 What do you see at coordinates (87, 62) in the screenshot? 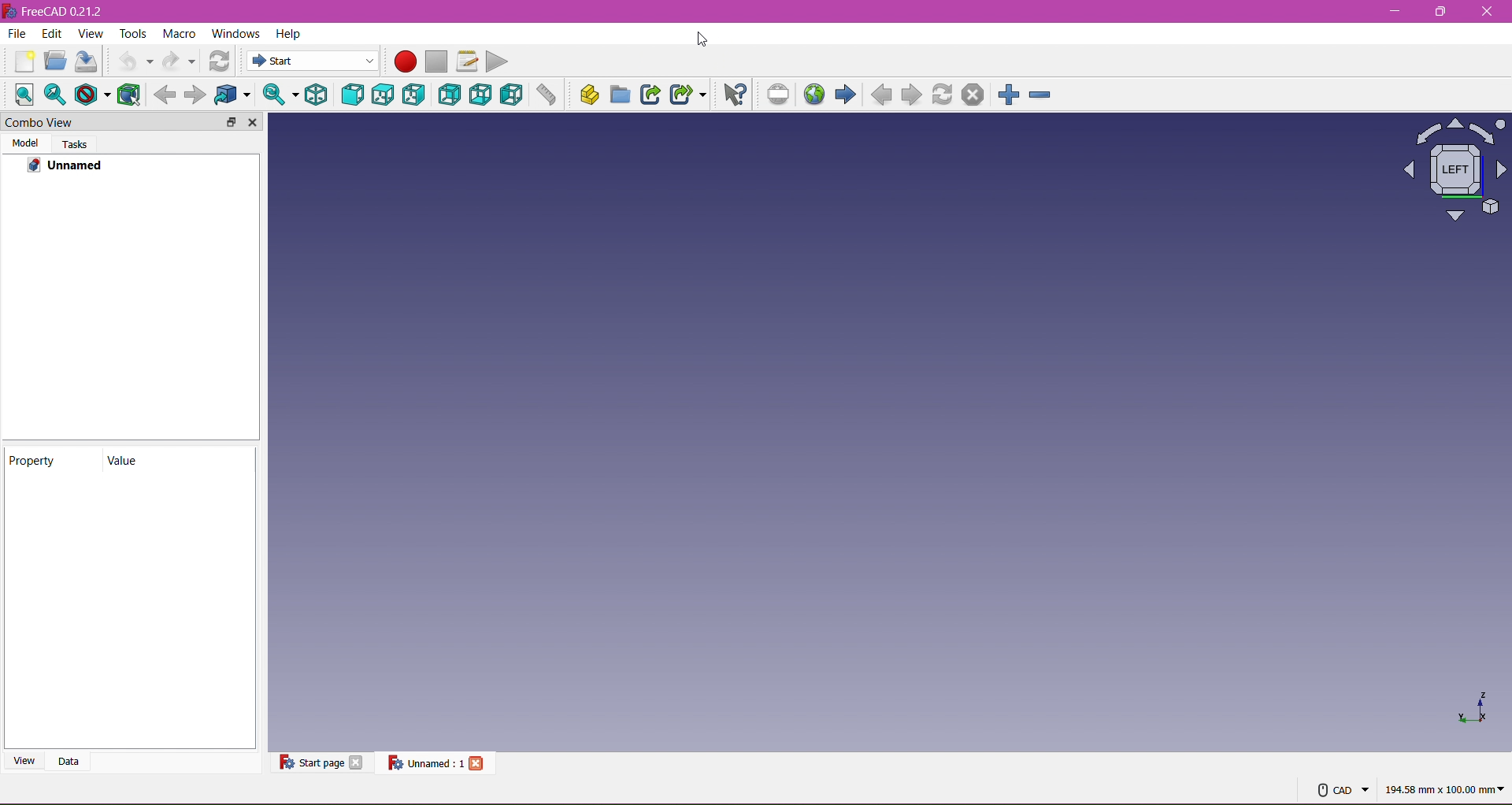
I see `Save Document` at bounding box center [87, 62].